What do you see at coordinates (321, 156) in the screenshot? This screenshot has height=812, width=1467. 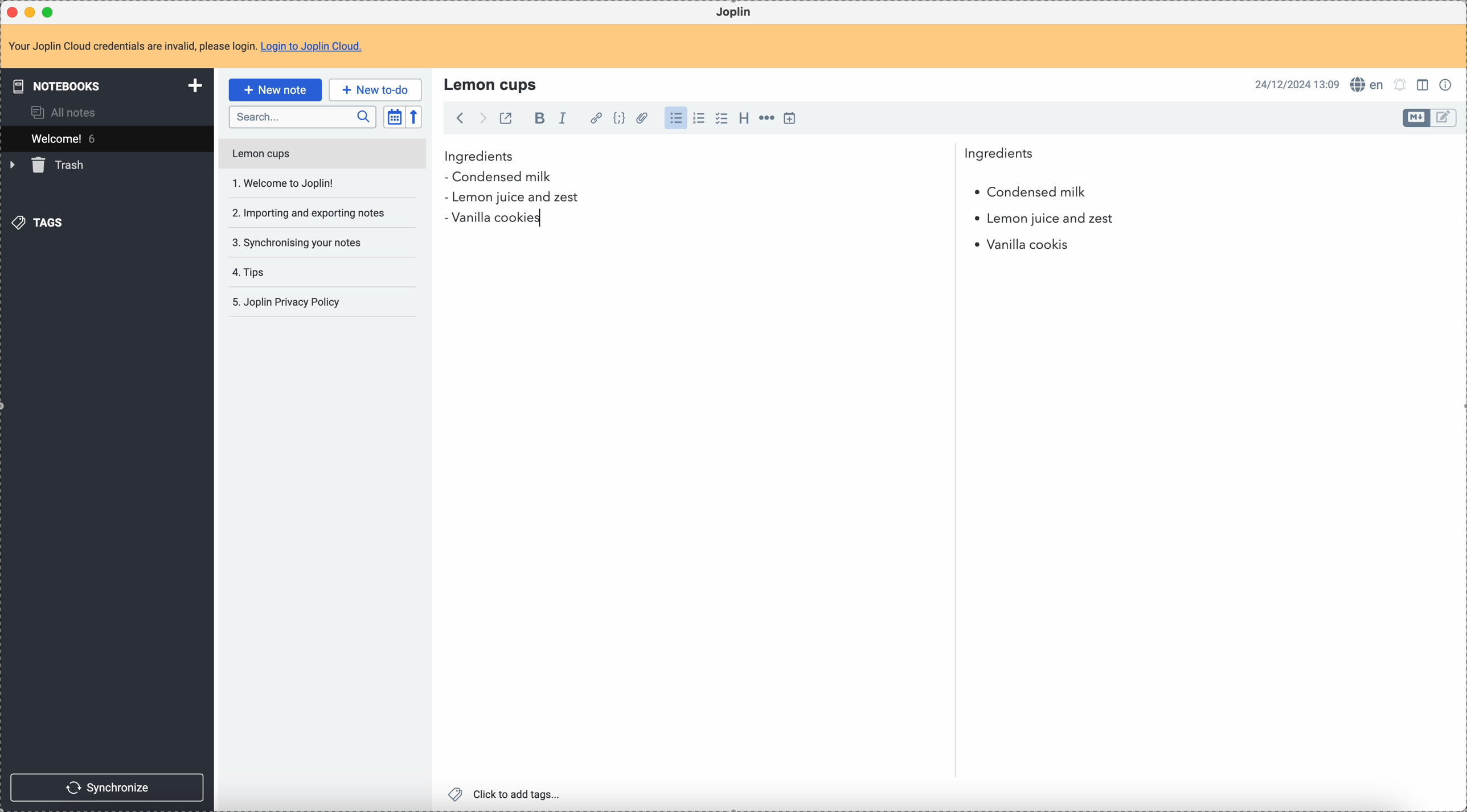 I see `lemon cups` at bounding box center [321, 156].